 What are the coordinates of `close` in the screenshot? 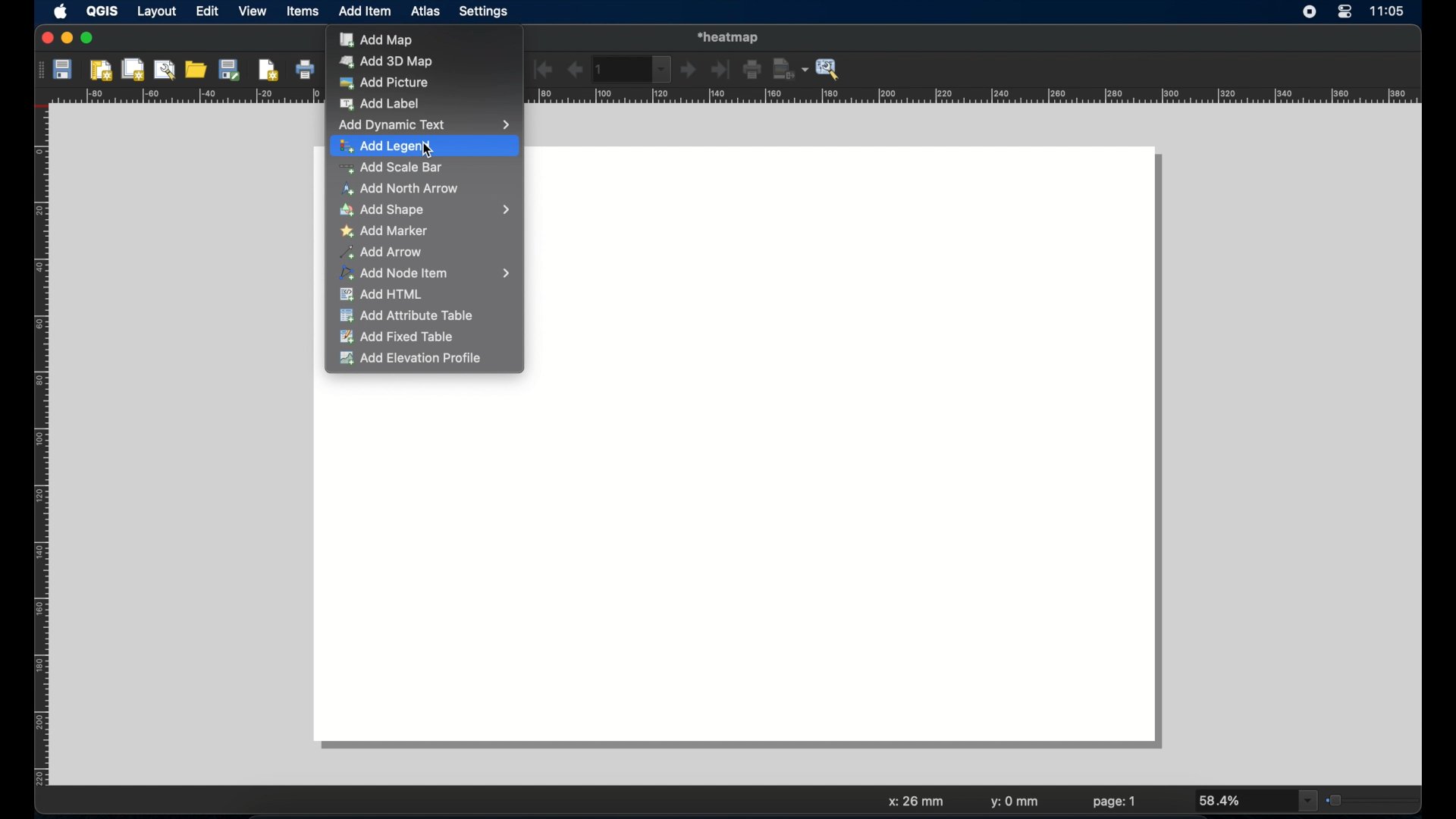 It's located at (45, 39).